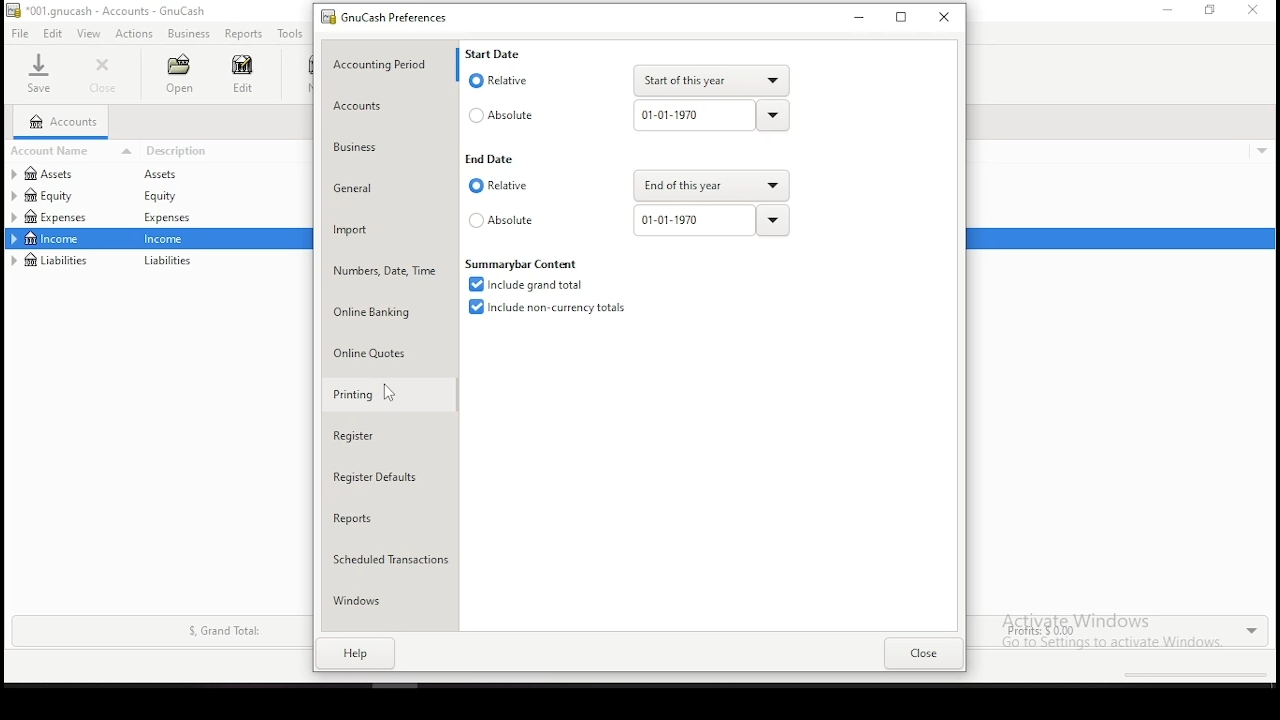 This screenshot has height=720, width=1280. I want to click on end date: relative, so click(627, 185).